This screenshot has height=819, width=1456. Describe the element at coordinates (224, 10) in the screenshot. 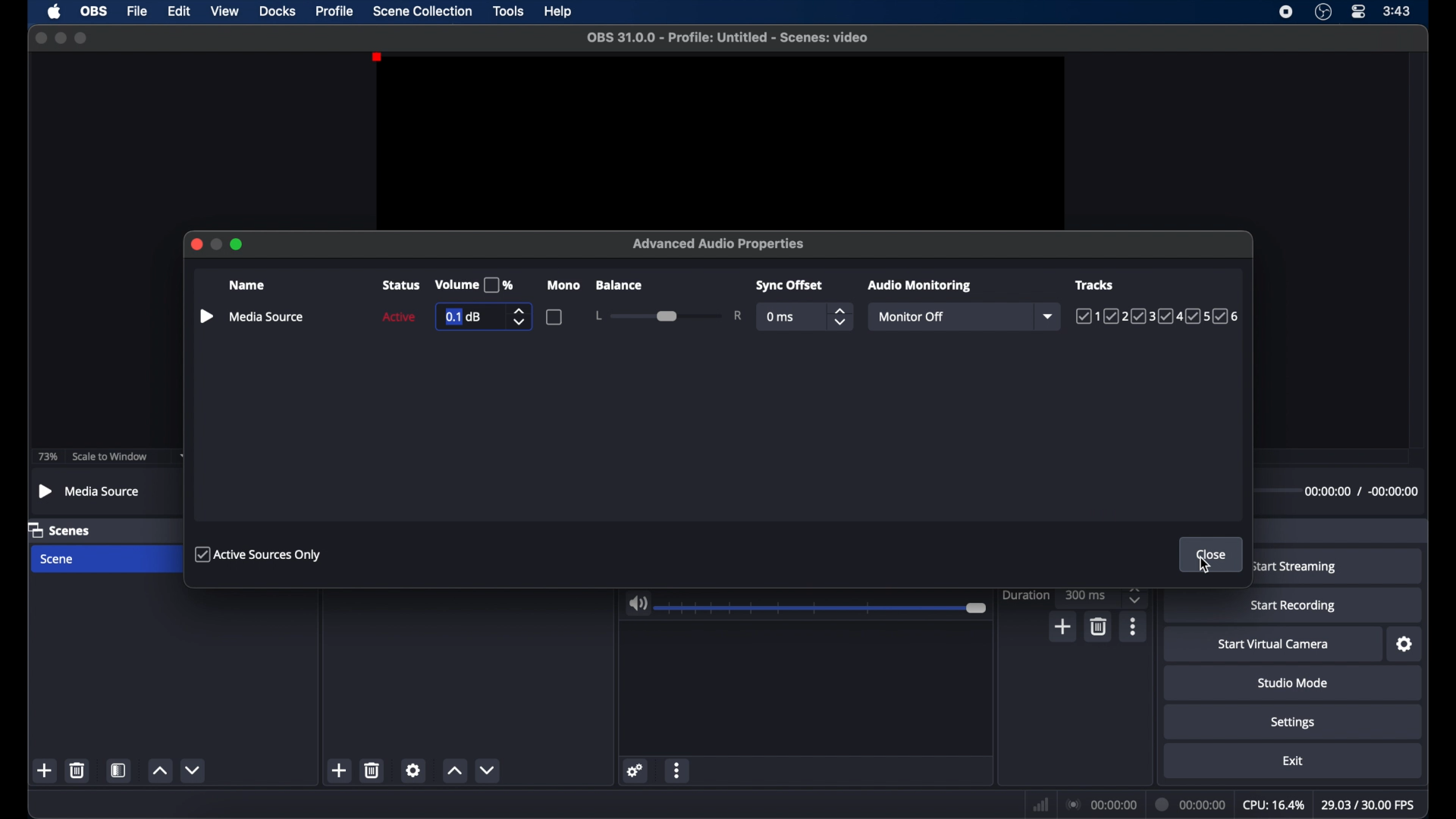

I see `view` at that location.